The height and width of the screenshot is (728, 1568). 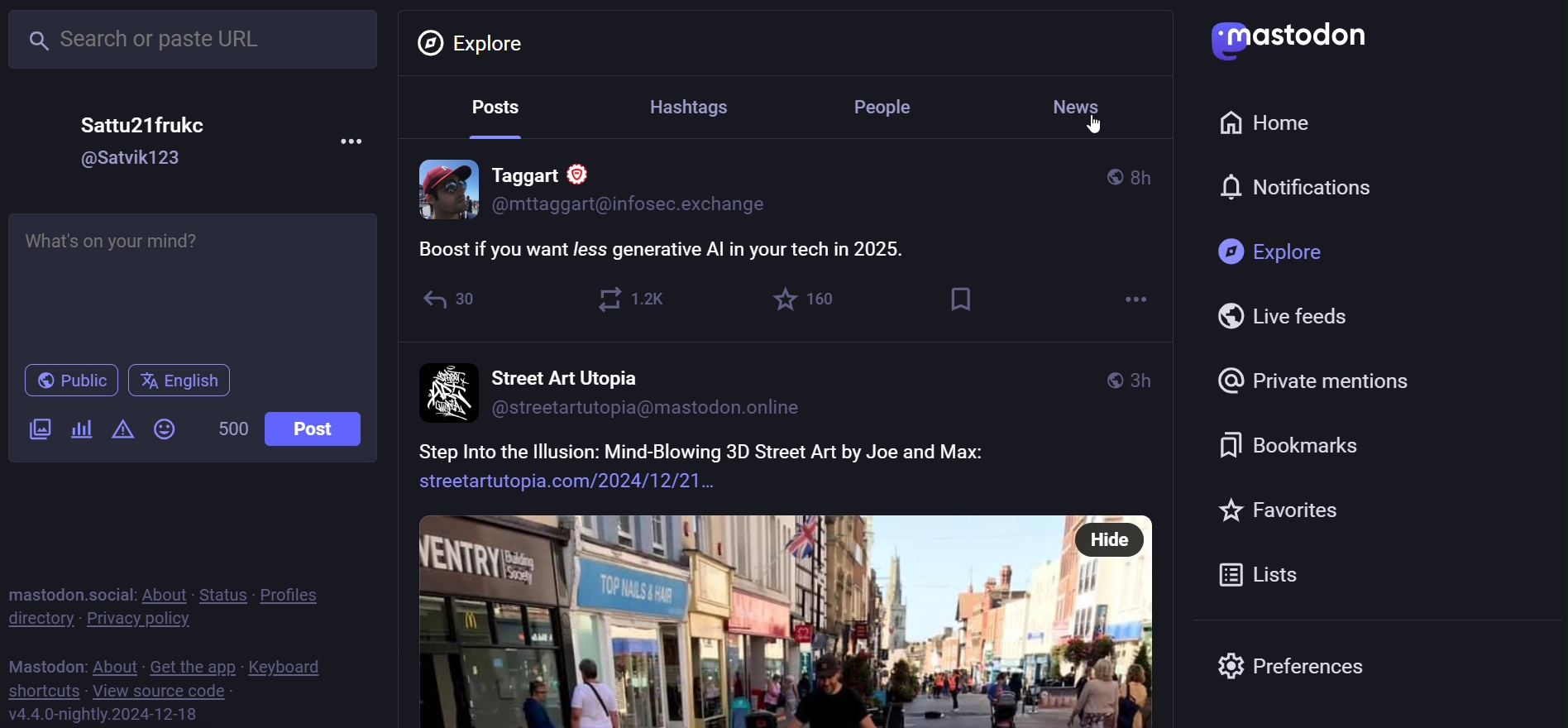 I want to click on profile picture, so click(x=446, y=390).